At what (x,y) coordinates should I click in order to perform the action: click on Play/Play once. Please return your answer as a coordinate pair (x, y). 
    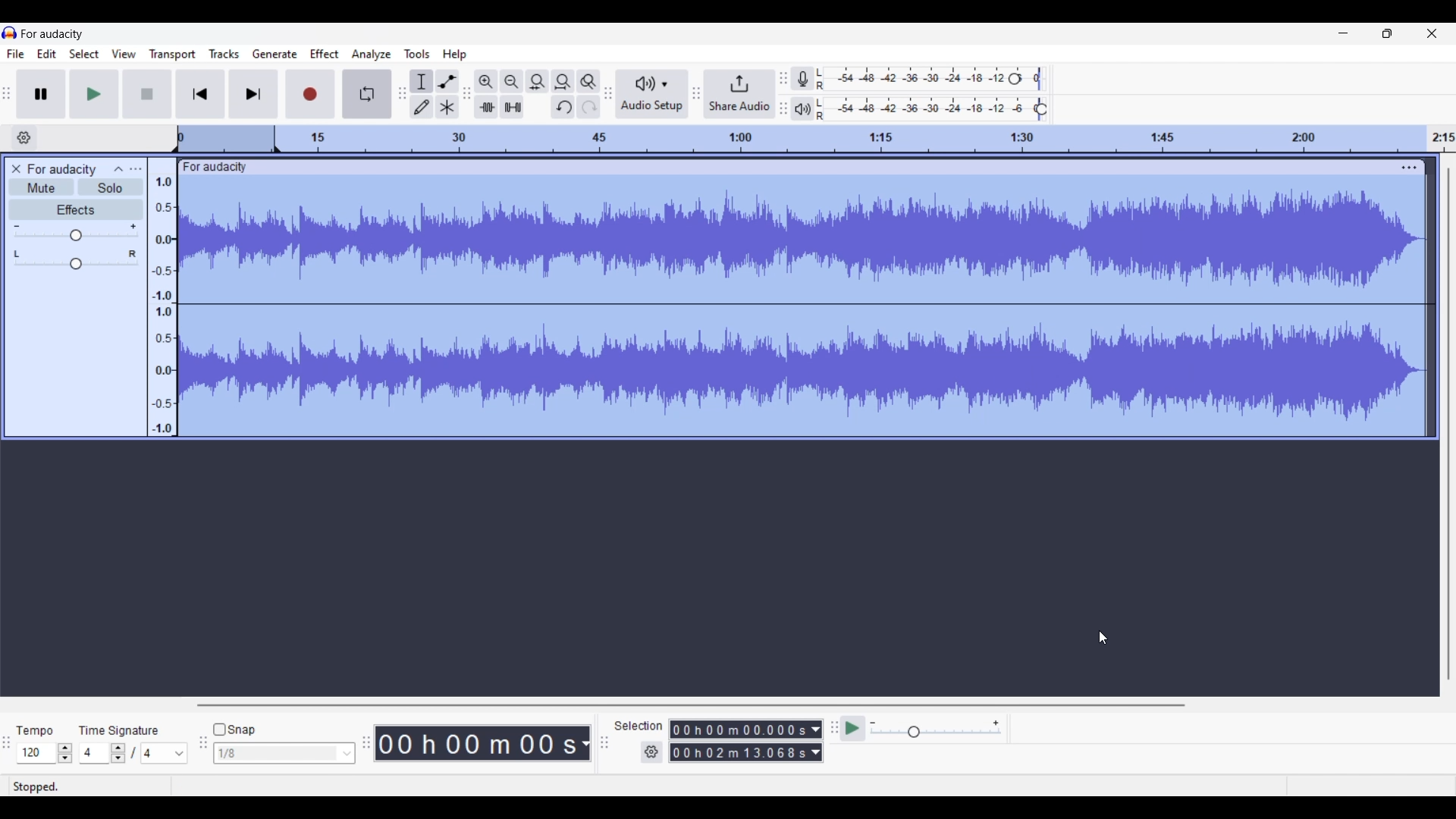
    Looking at the image, I should click on (93, 94).